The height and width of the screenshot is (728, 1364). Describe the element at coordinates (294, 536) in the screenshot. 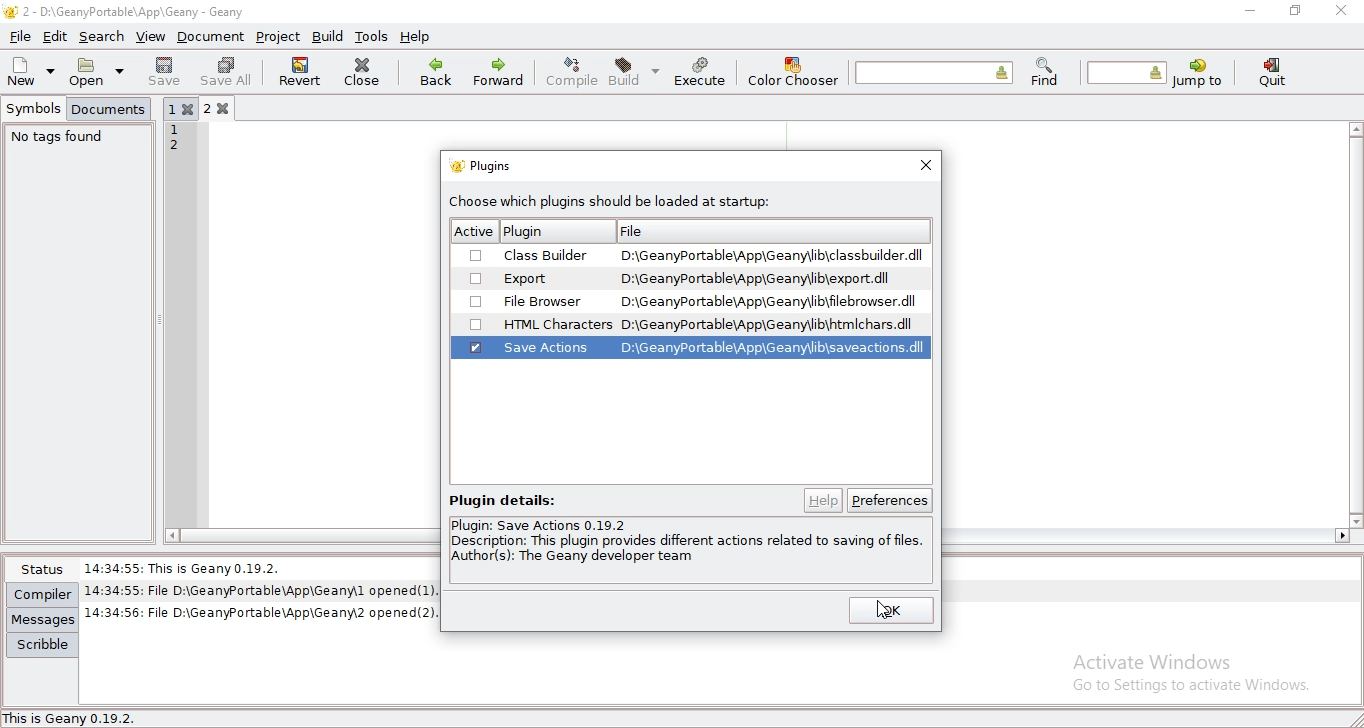

I see `scroll bar` at that location.